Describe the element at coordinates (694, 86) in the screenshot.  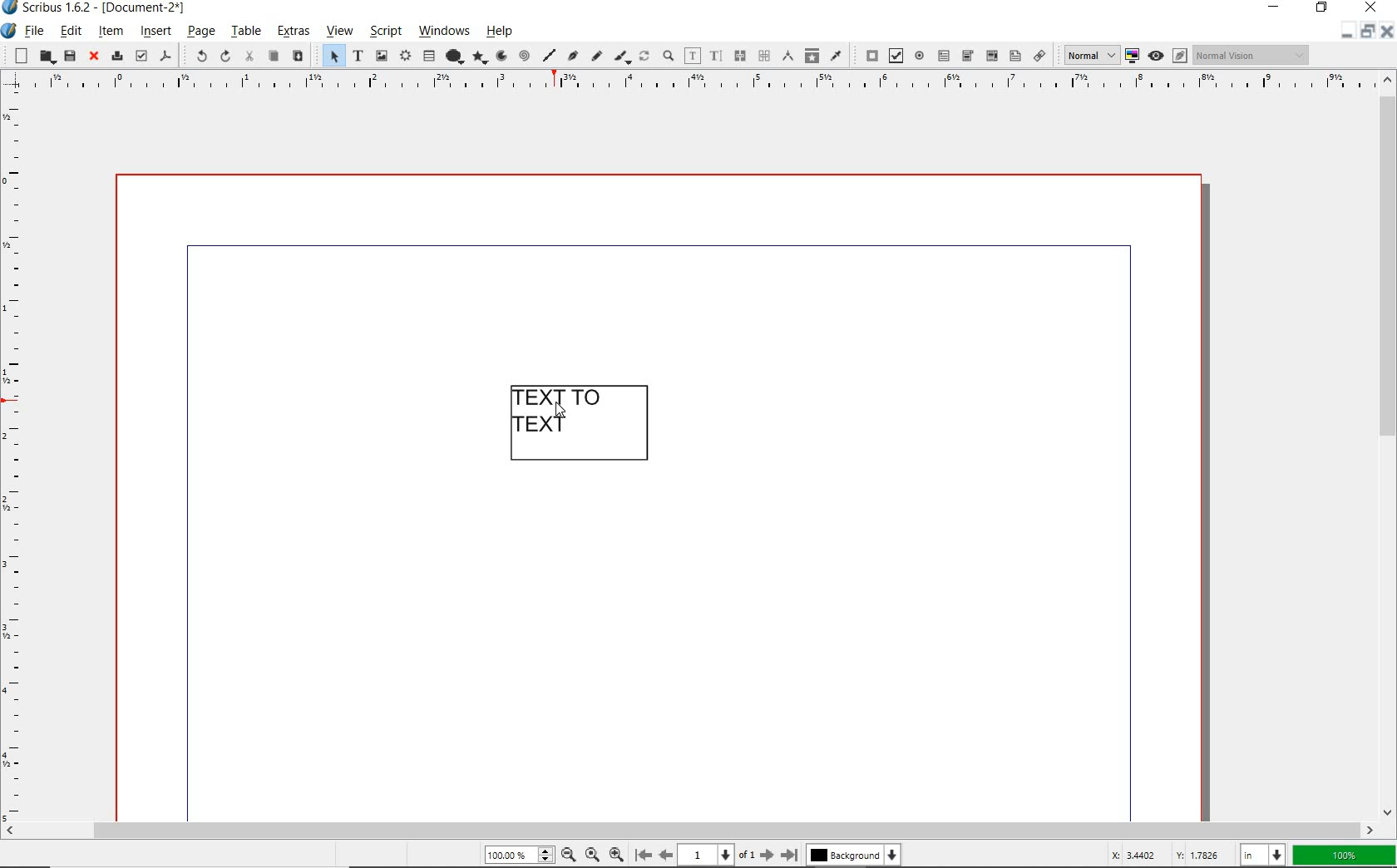
I see `ruler` at that location.